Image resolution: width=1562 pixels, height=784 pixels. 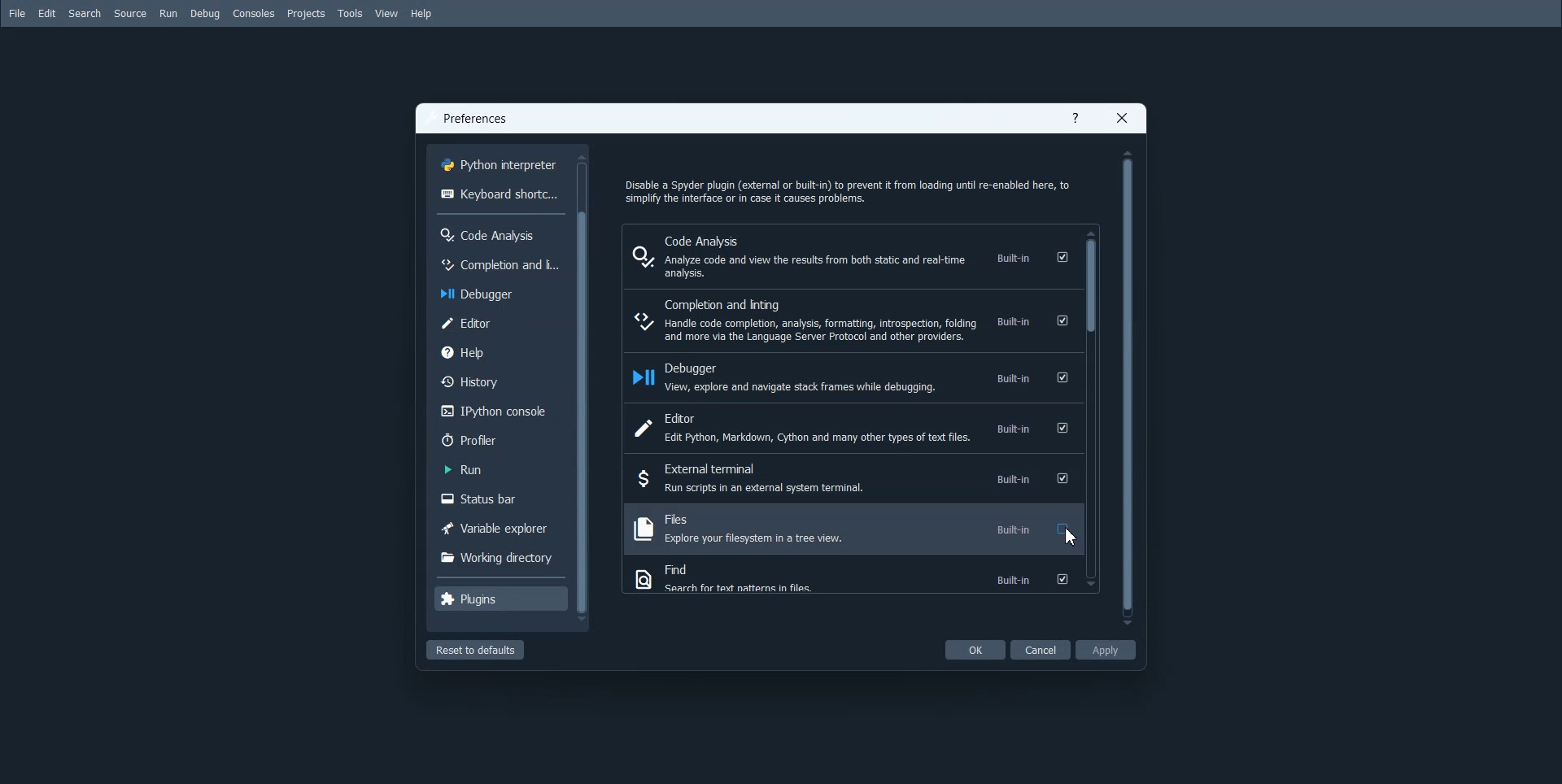 What do you see at coordinates (1076, 120) in the screenshot?
I see `Help` at bounding box center [1076, 120].